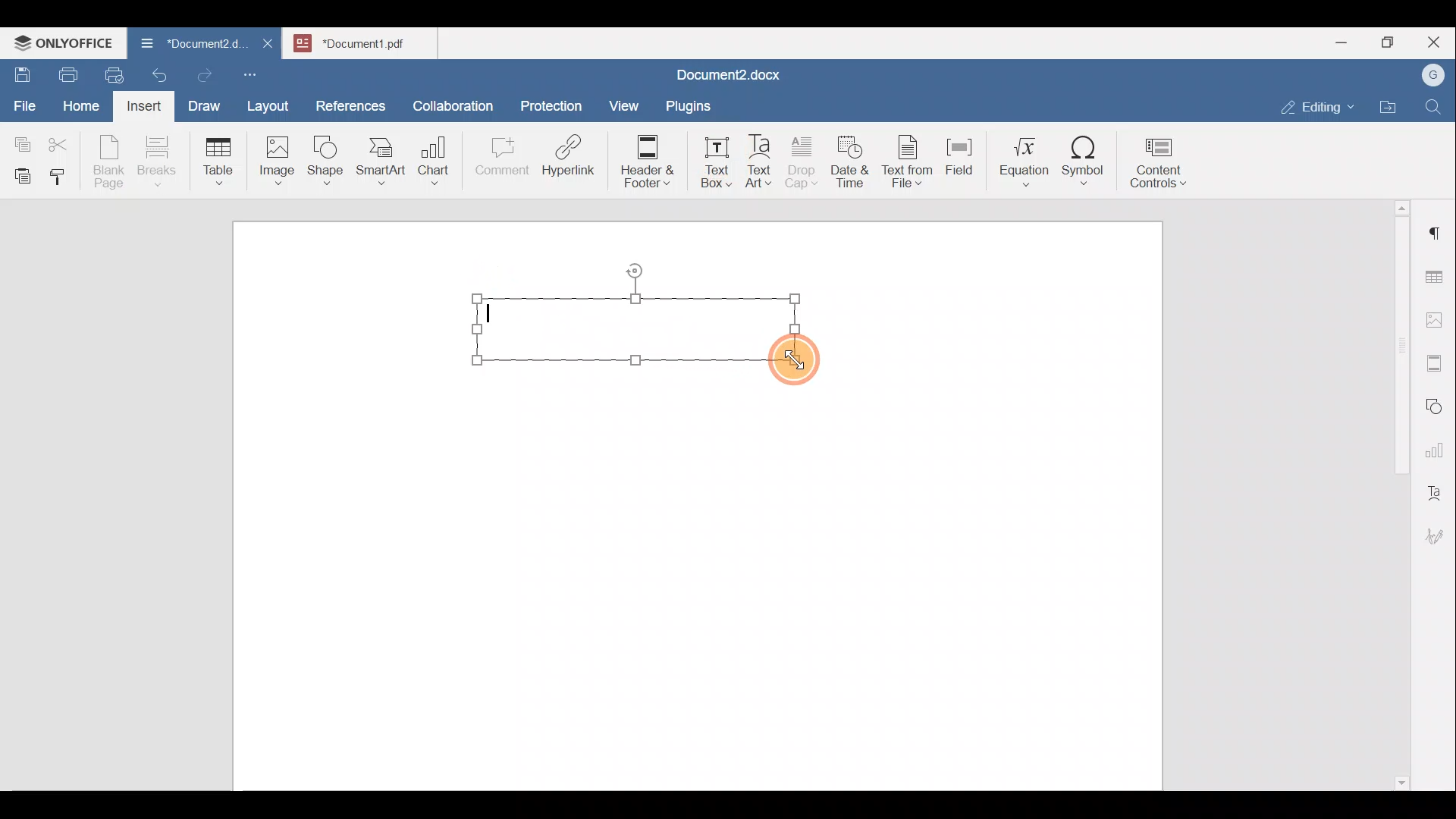 The height and width of the screenshot is (819, 1456). I want to click on Table, so click(219, 158).